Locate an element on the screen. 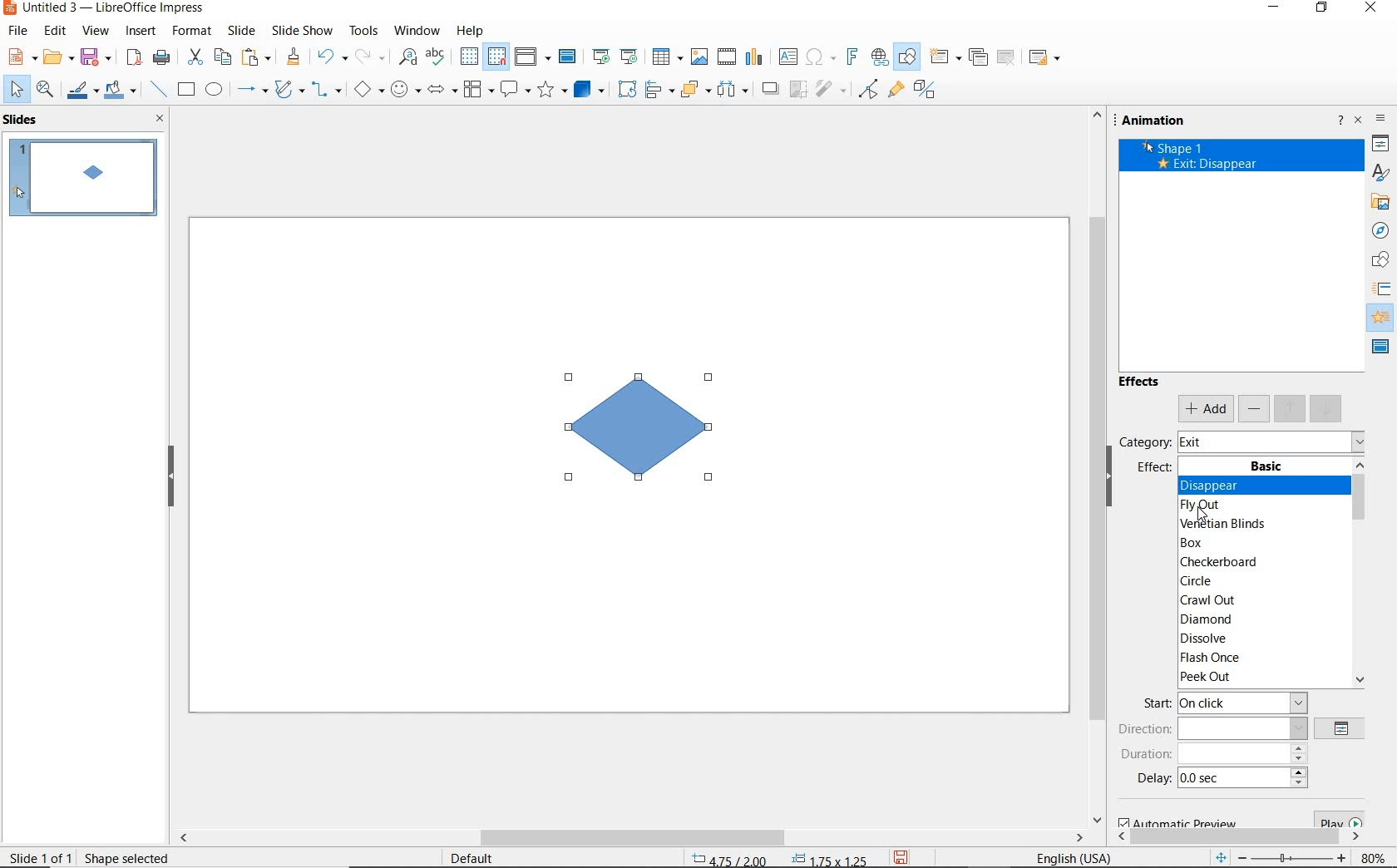 The width and height of the screenshot is (1397, 868). clone formatting is located at coordinates (292, 57).